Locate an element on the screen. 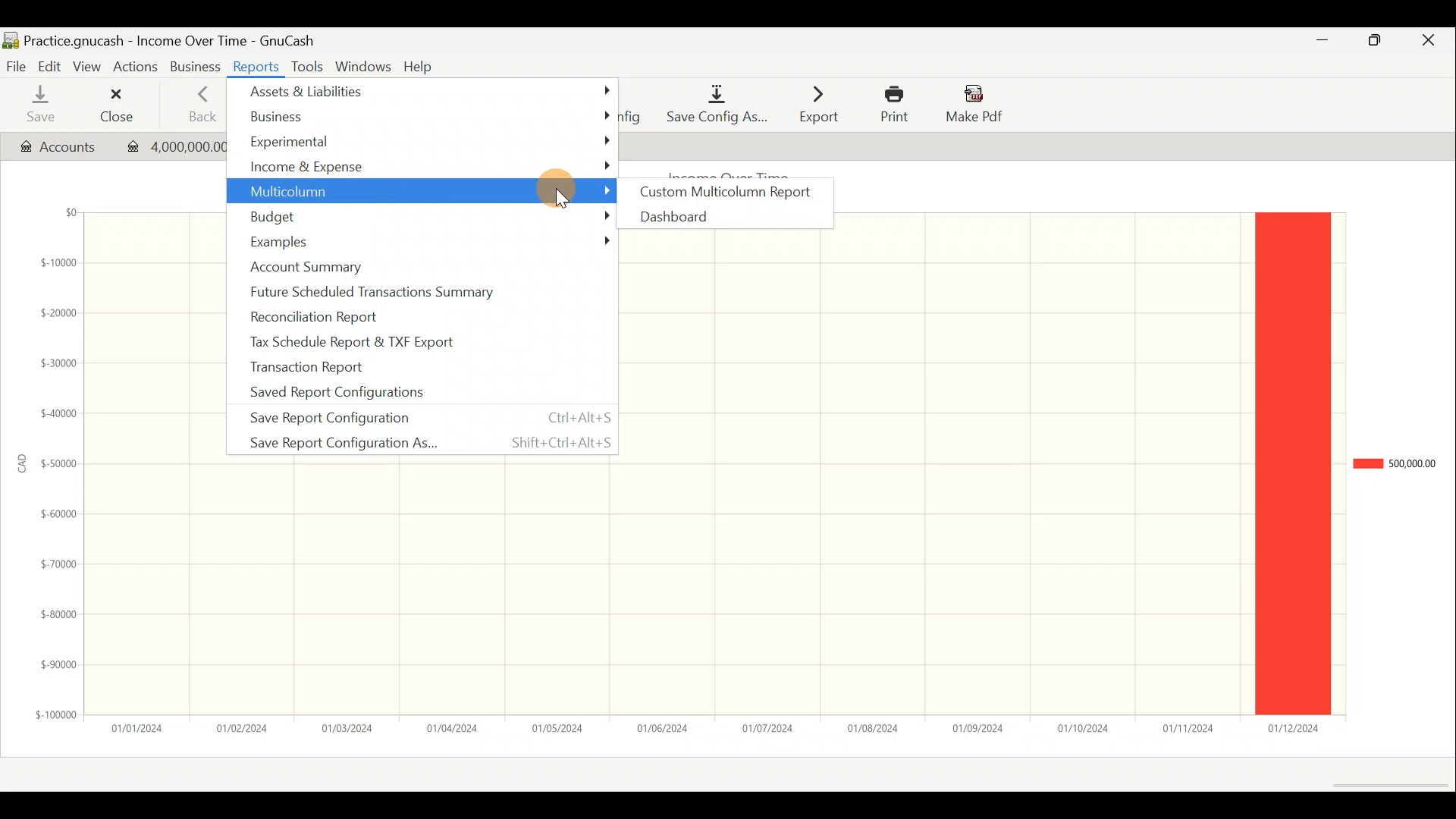 The width and height of the screenshot is (1456, 819). Account summary is located at coordinates (417, 268).